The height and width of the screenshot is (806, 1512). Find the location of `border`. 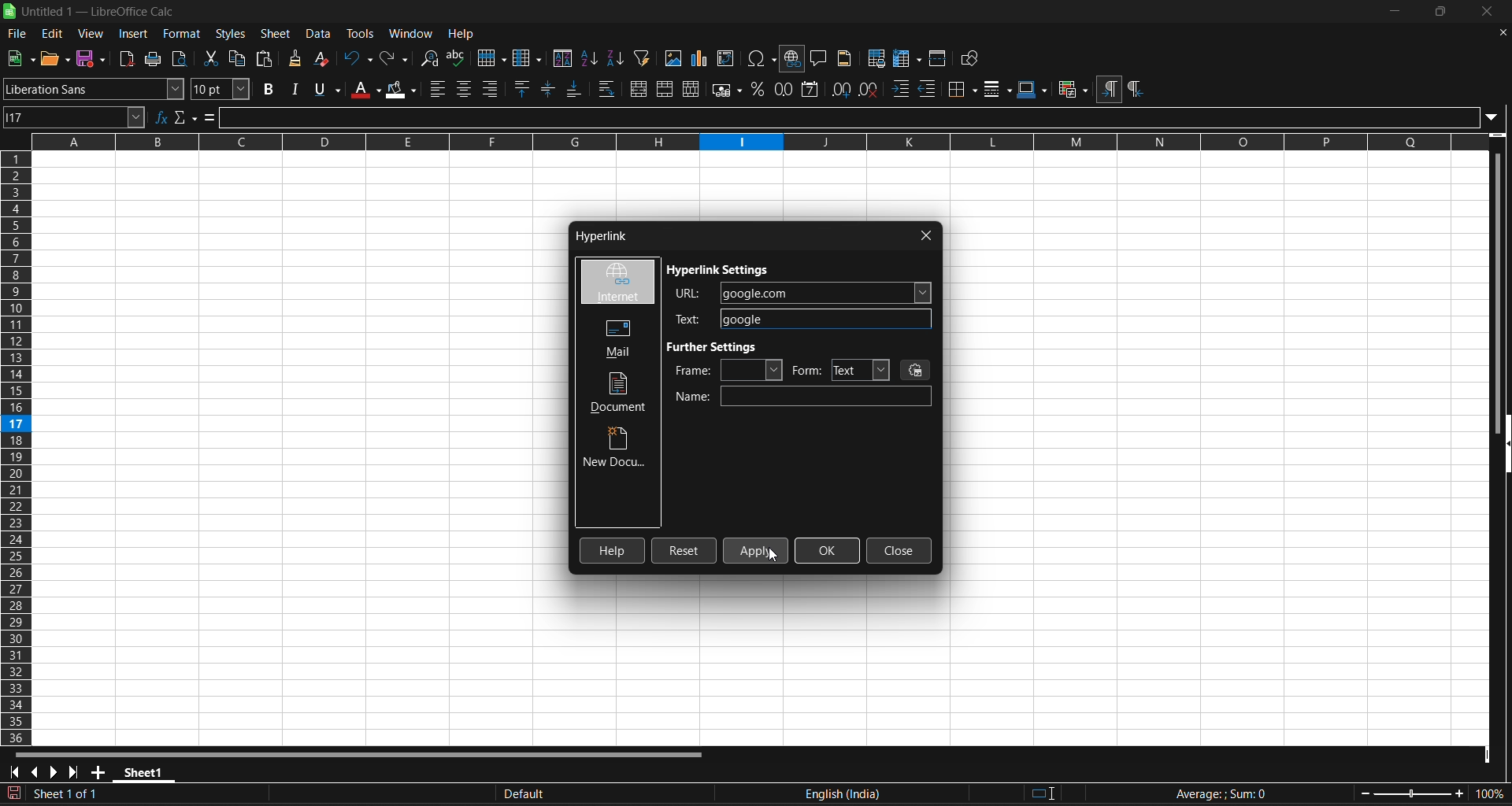

border is located at coordinates (963, 89).